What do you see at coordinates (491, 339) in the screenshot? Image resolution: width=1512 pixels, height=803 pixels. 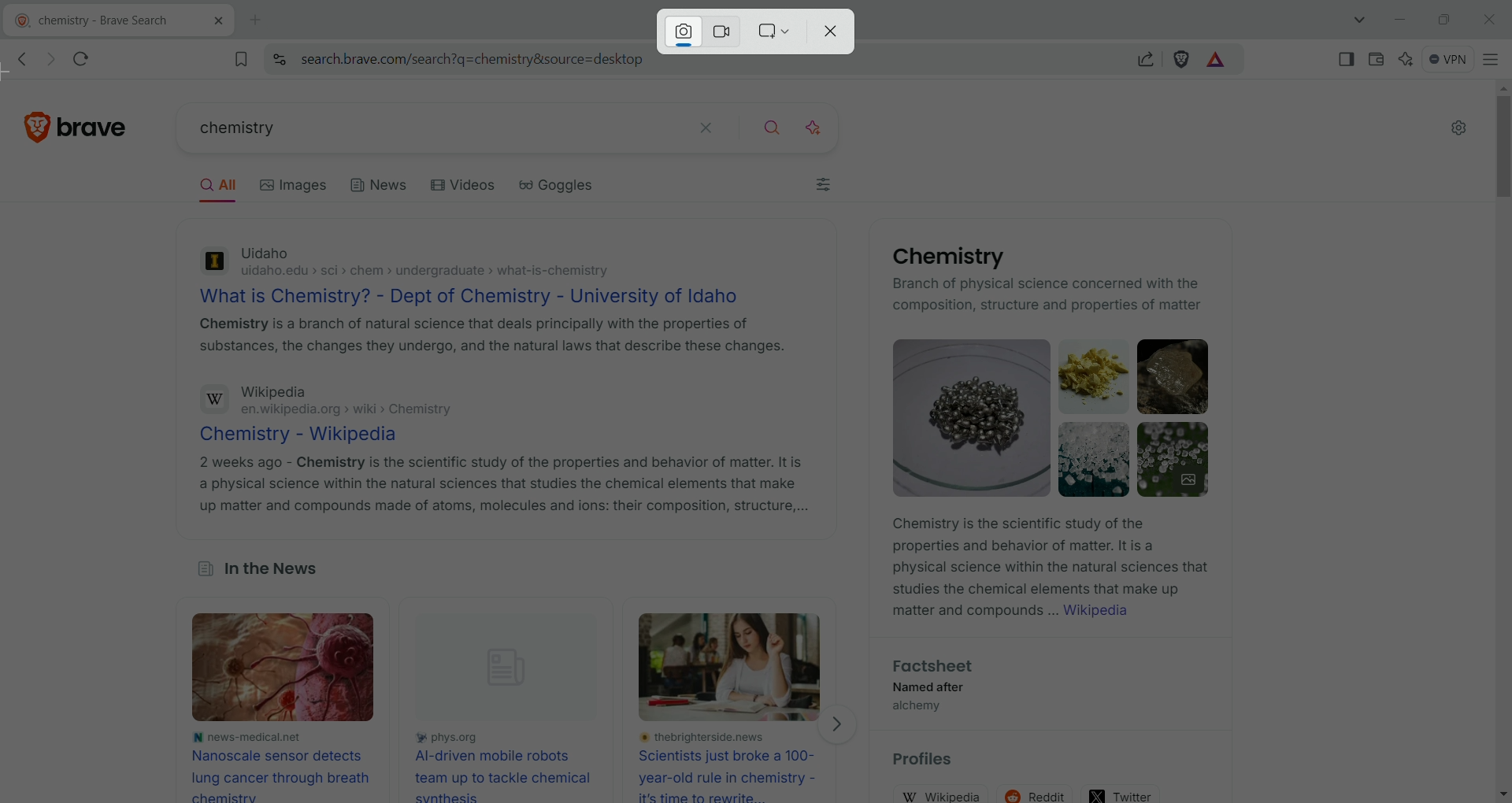 I see `Chemistry Is a branch of natural science that deals principally with the properties of
substances, the changes they undergo, and the natural laws that describe these changes.` at bounding box center [491, 339].